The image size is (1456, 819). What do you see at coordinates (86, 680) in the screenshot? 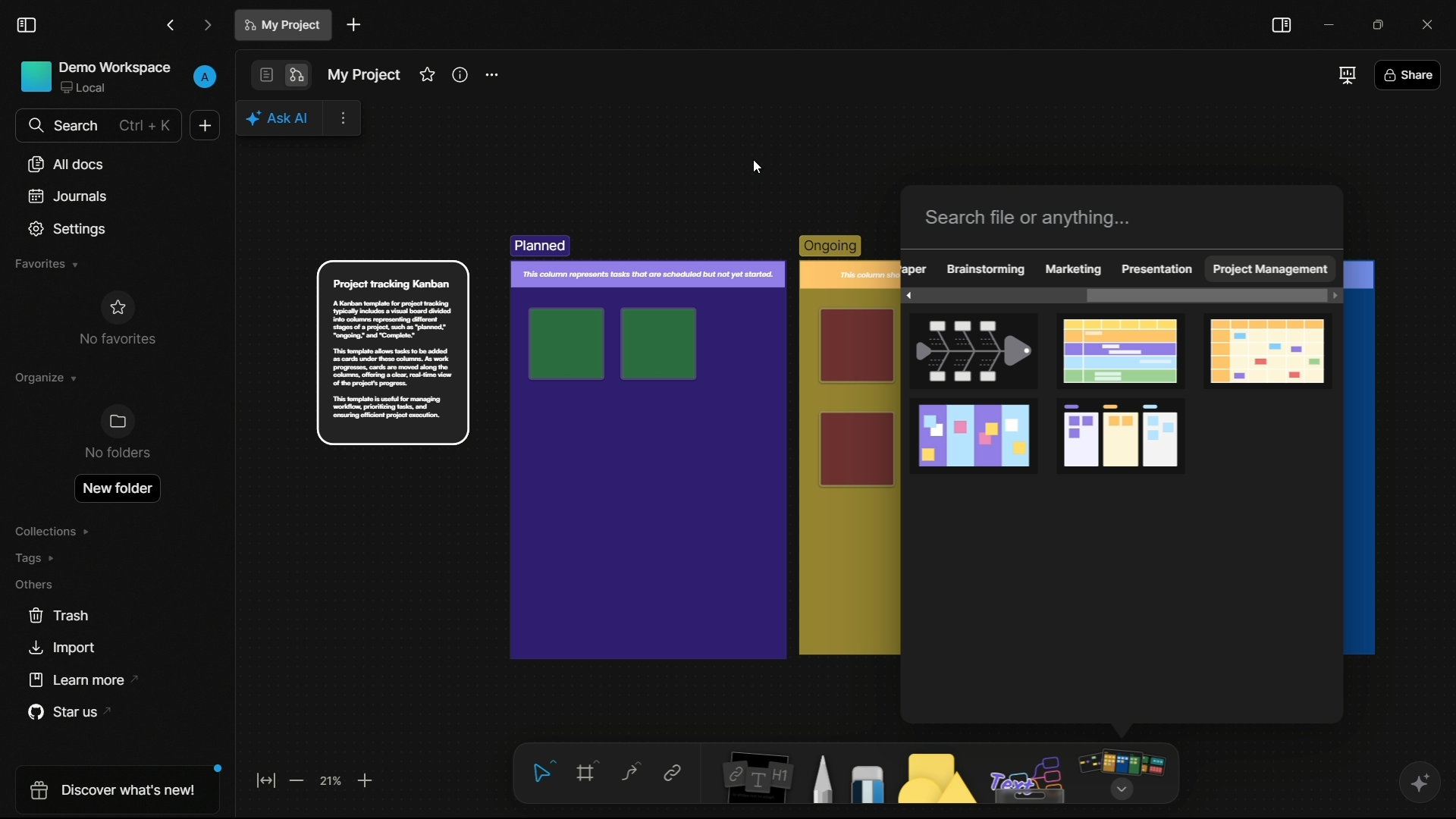
I see `learn more` at bounding box center [86, 680].